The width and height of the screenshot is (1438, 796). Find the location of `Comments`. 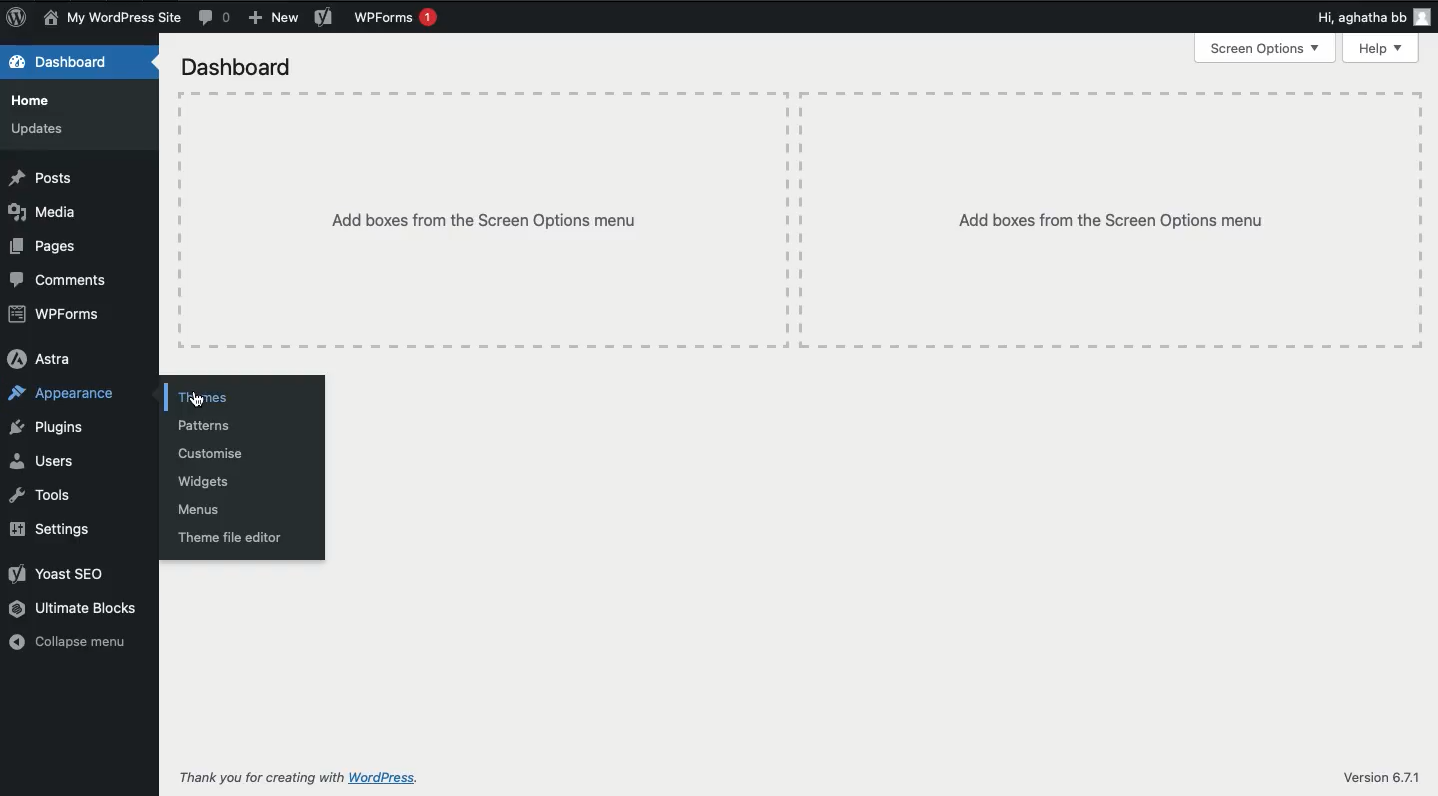

Comments is located at coordinates (65, 281).